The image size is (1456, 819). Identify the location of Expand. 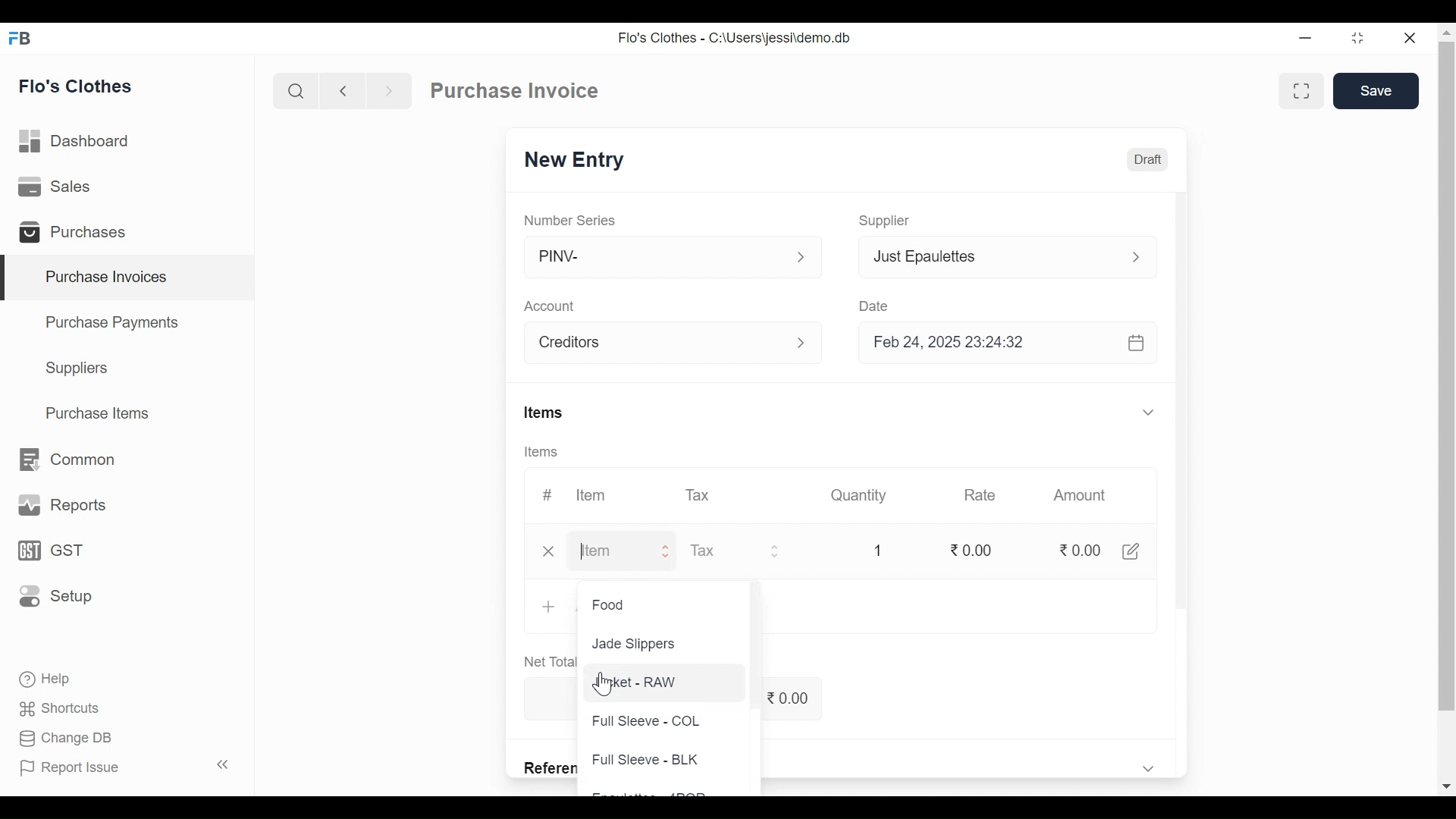
(803, 343).